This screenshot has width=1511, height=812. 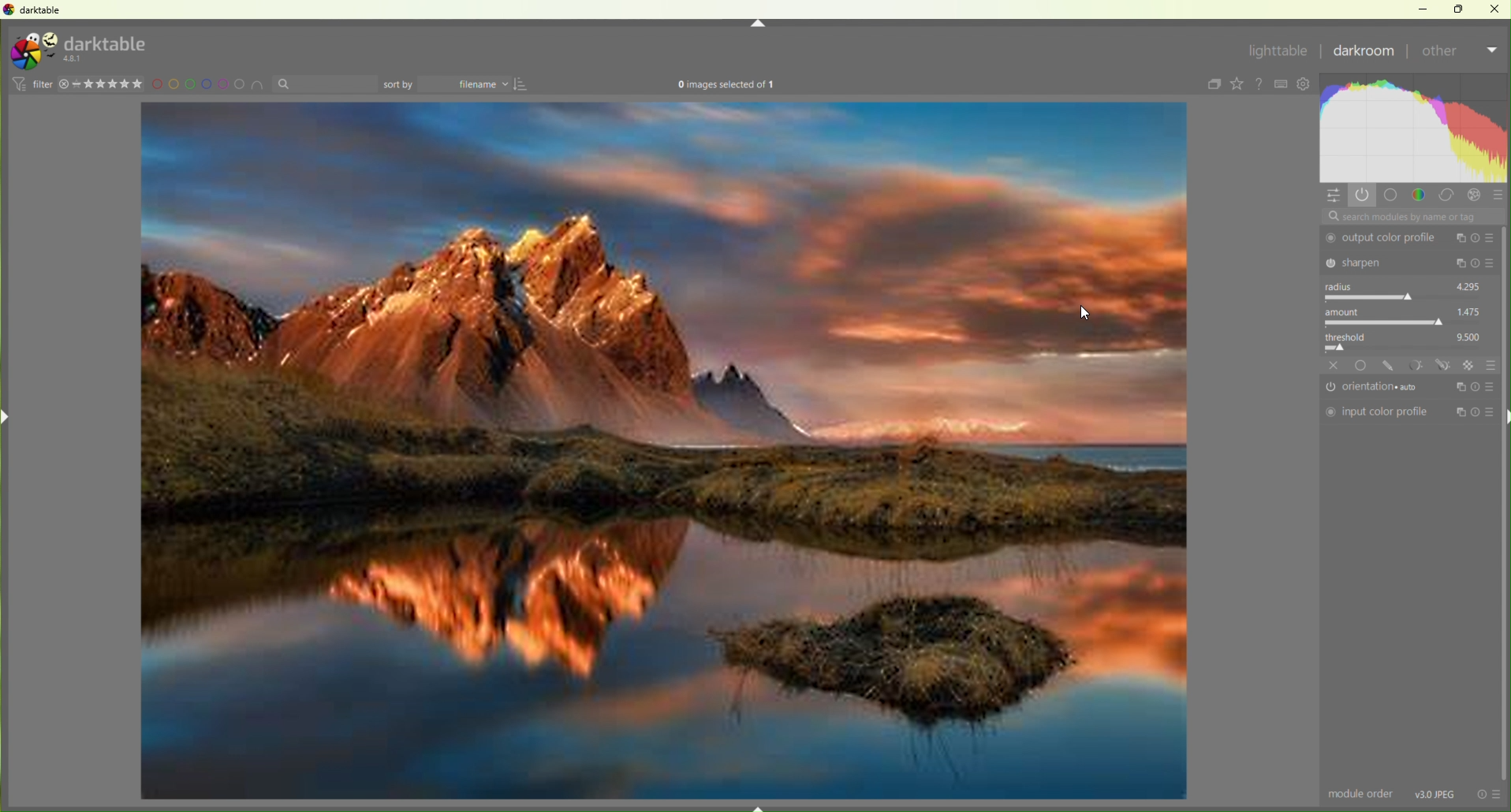 What do you see at coordinates (524, 84) in the screenshot?
I see `sort` at bounding box center [524, 84].